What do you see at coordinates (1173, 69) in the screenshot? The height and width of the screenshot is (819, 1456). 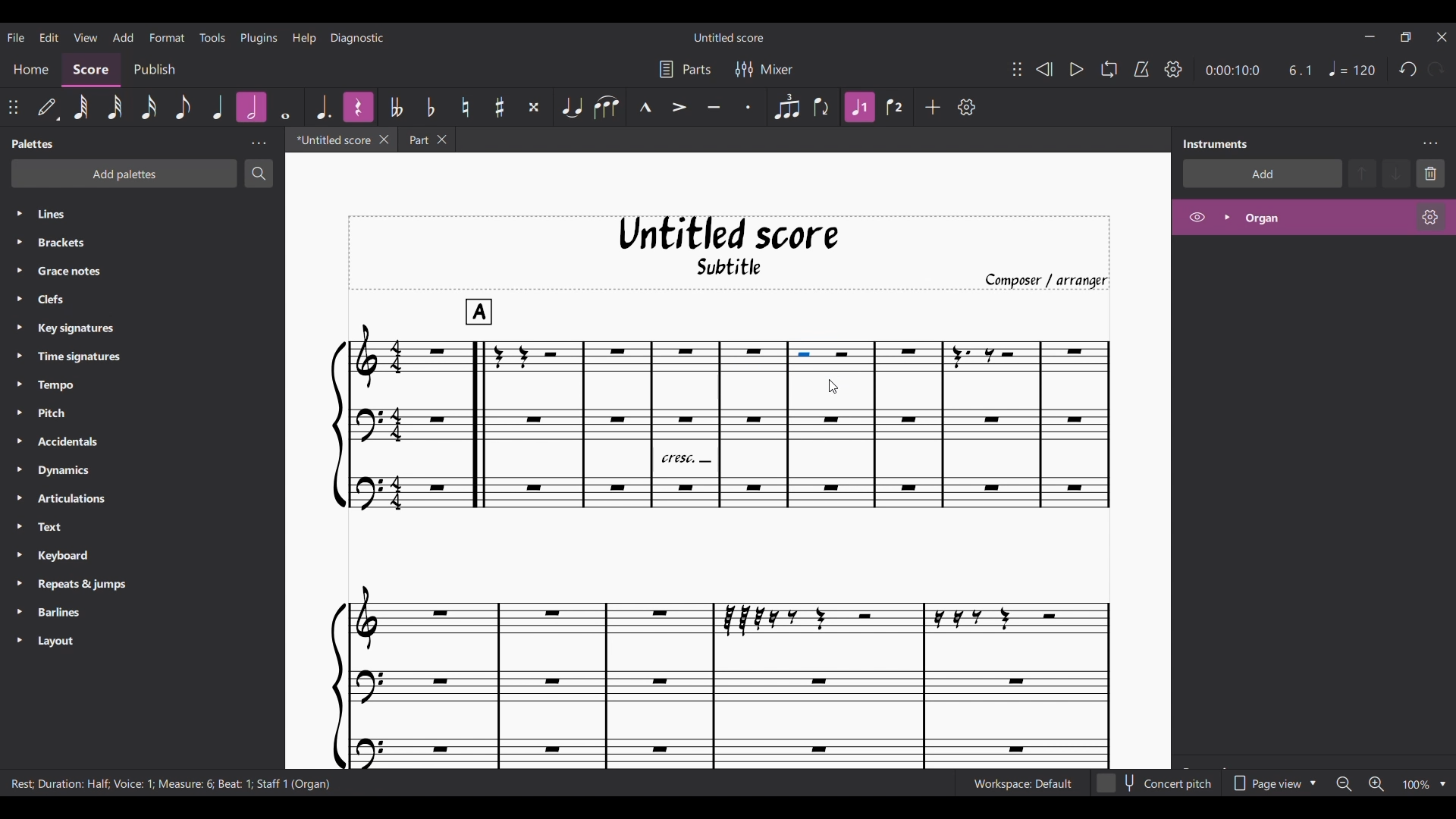 I see `Playback settings` at bounding box center [1173, 69].